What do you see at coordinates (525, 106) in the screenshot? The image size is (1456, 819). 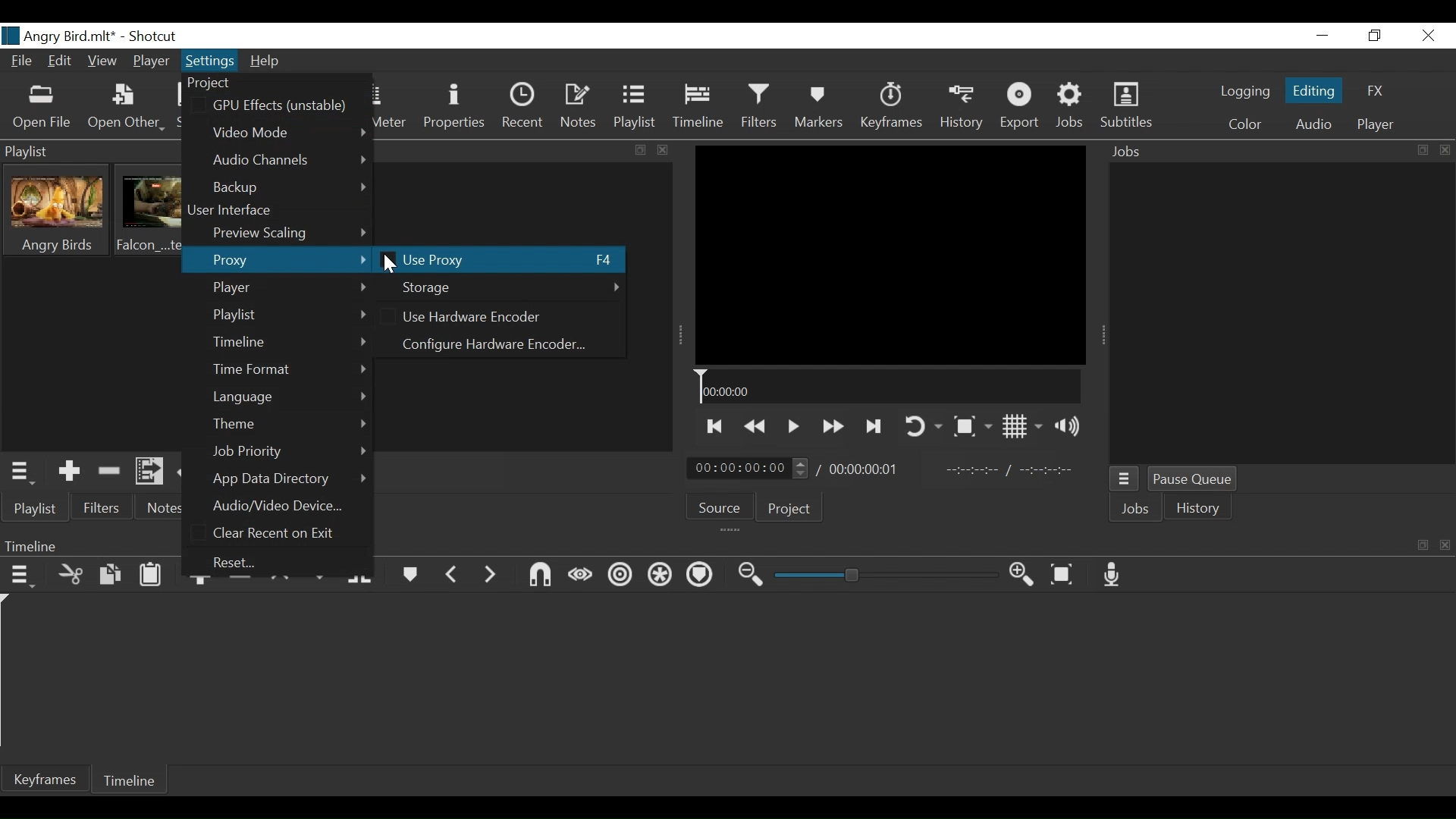 I see `Recent` at bounding box center [525, 106].